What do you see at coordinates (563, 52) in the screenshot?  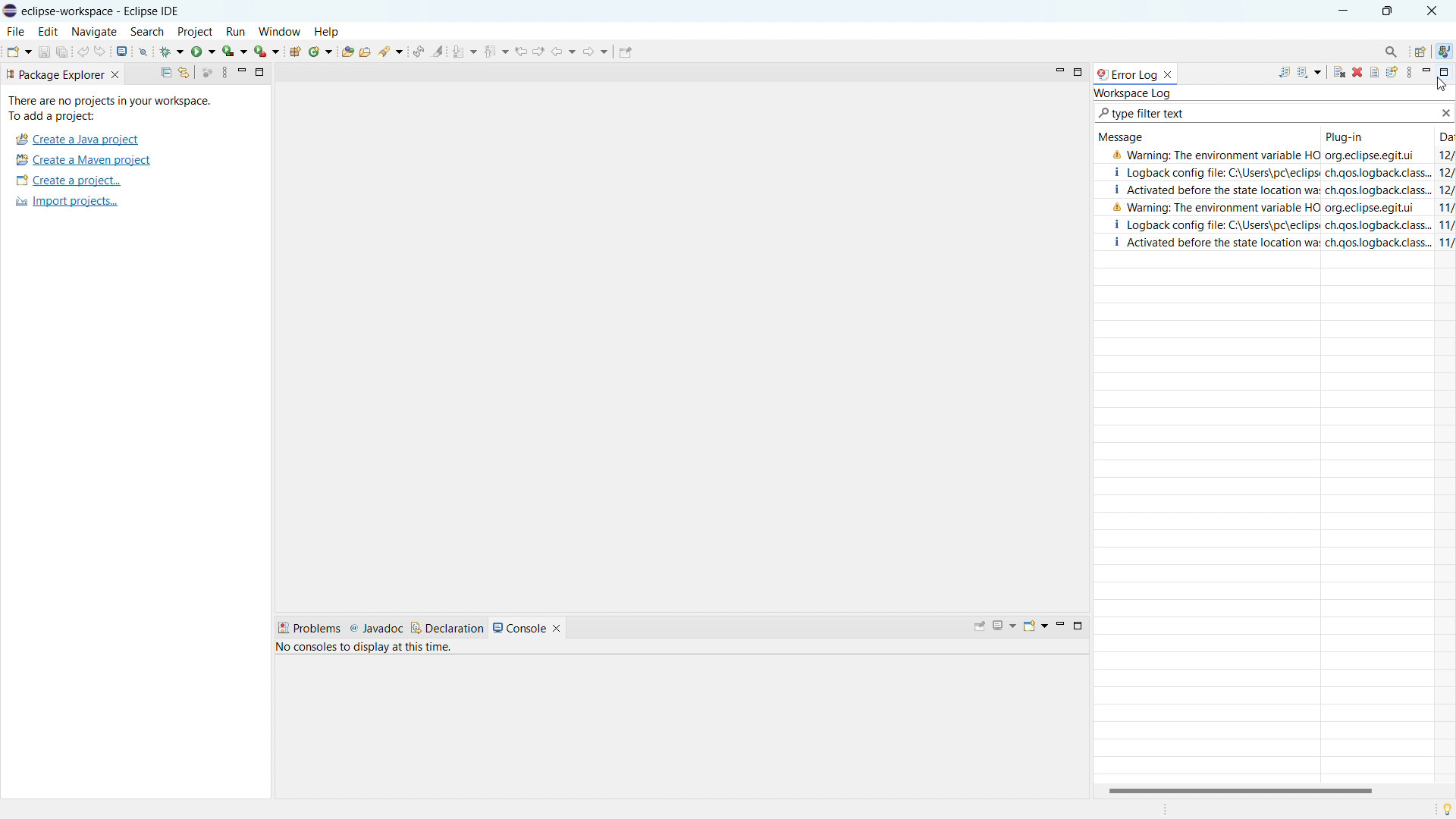 I see `back` at bounding box center [563, 52].